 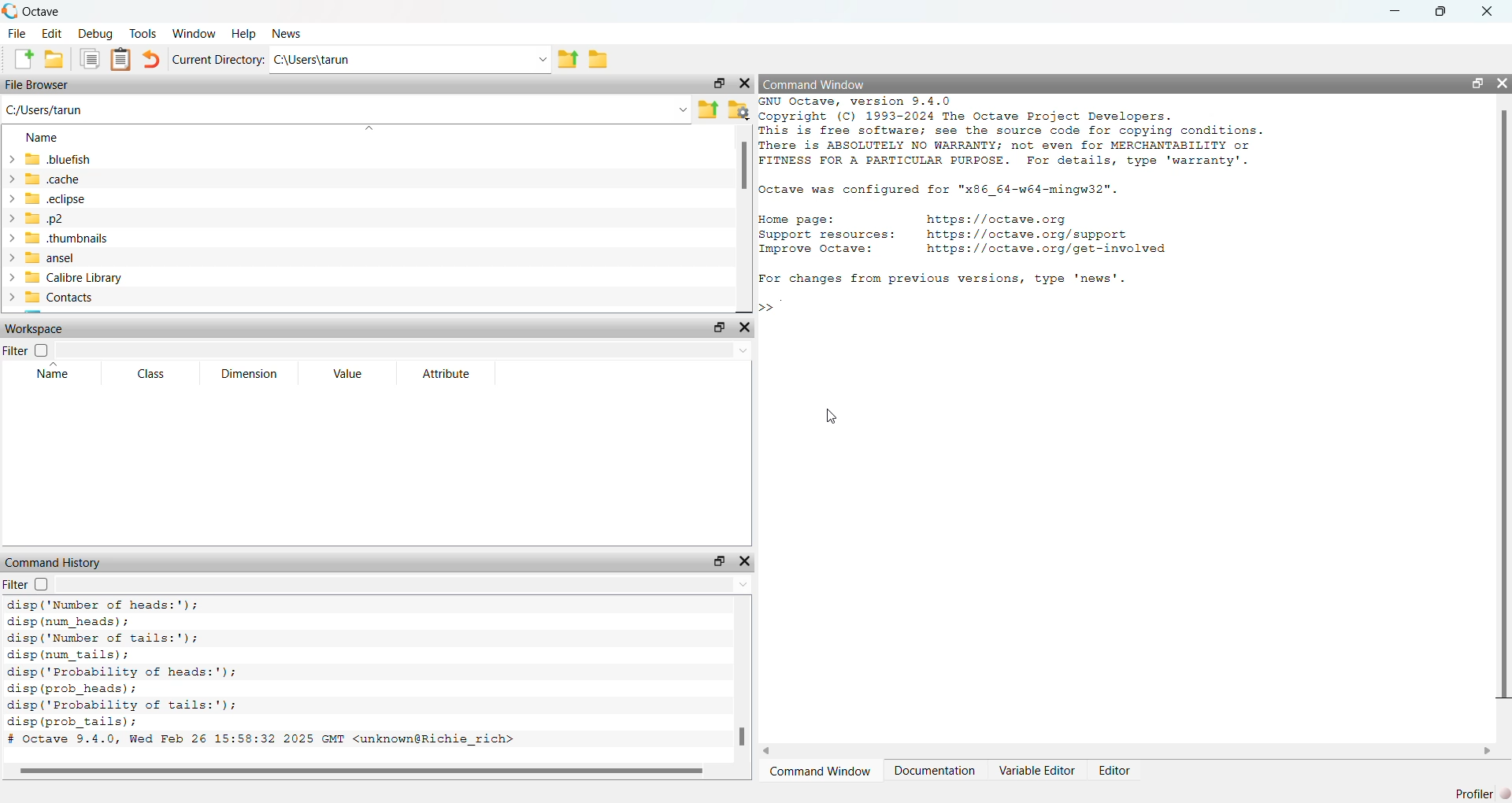 I want to click on New script, so click(x=21, y=59).